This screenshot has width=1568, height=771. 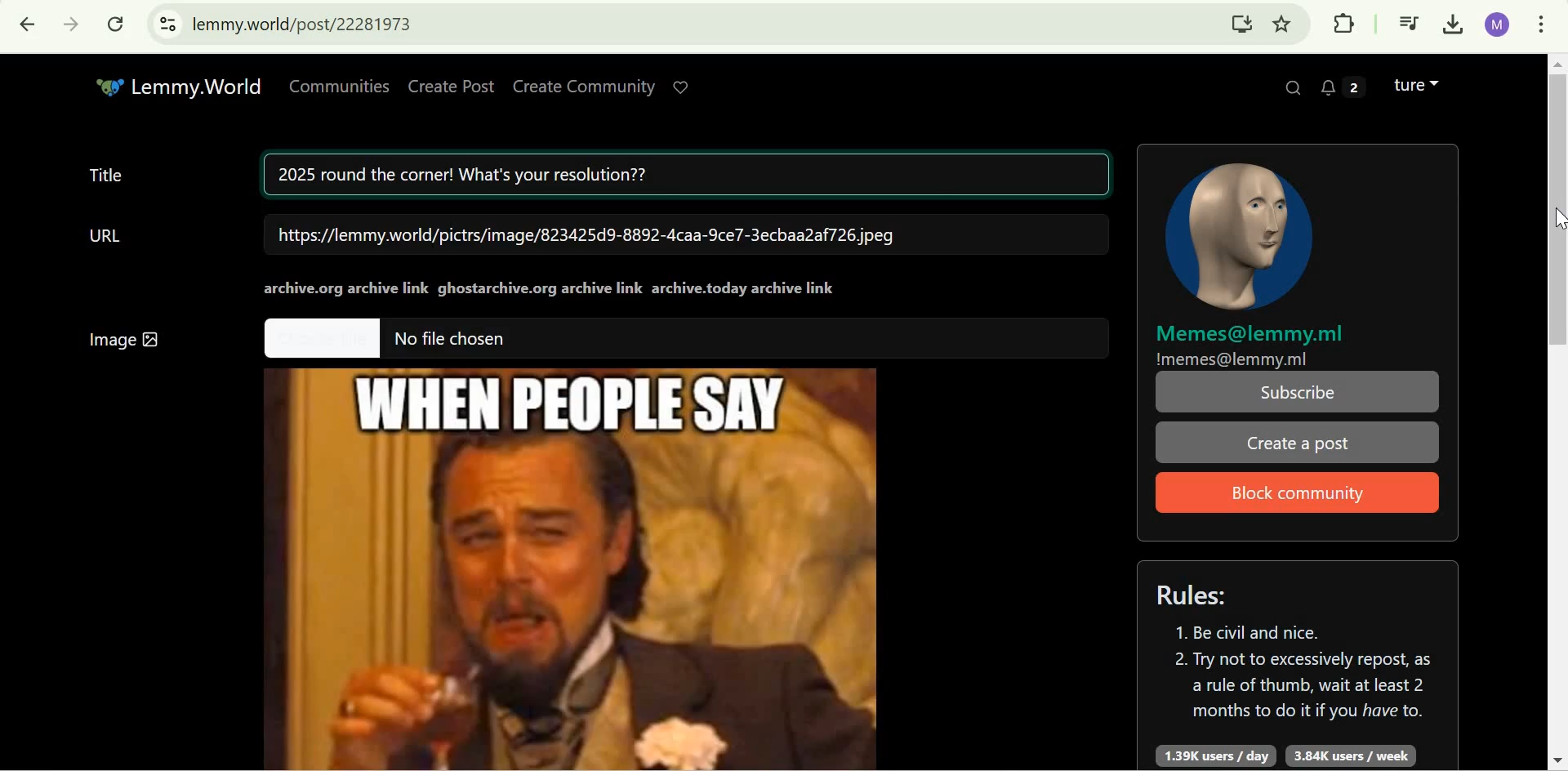 What do you see at coordinates (167, 25) in the screenshot?
I see `View site information` at bounding box center [167, 25].